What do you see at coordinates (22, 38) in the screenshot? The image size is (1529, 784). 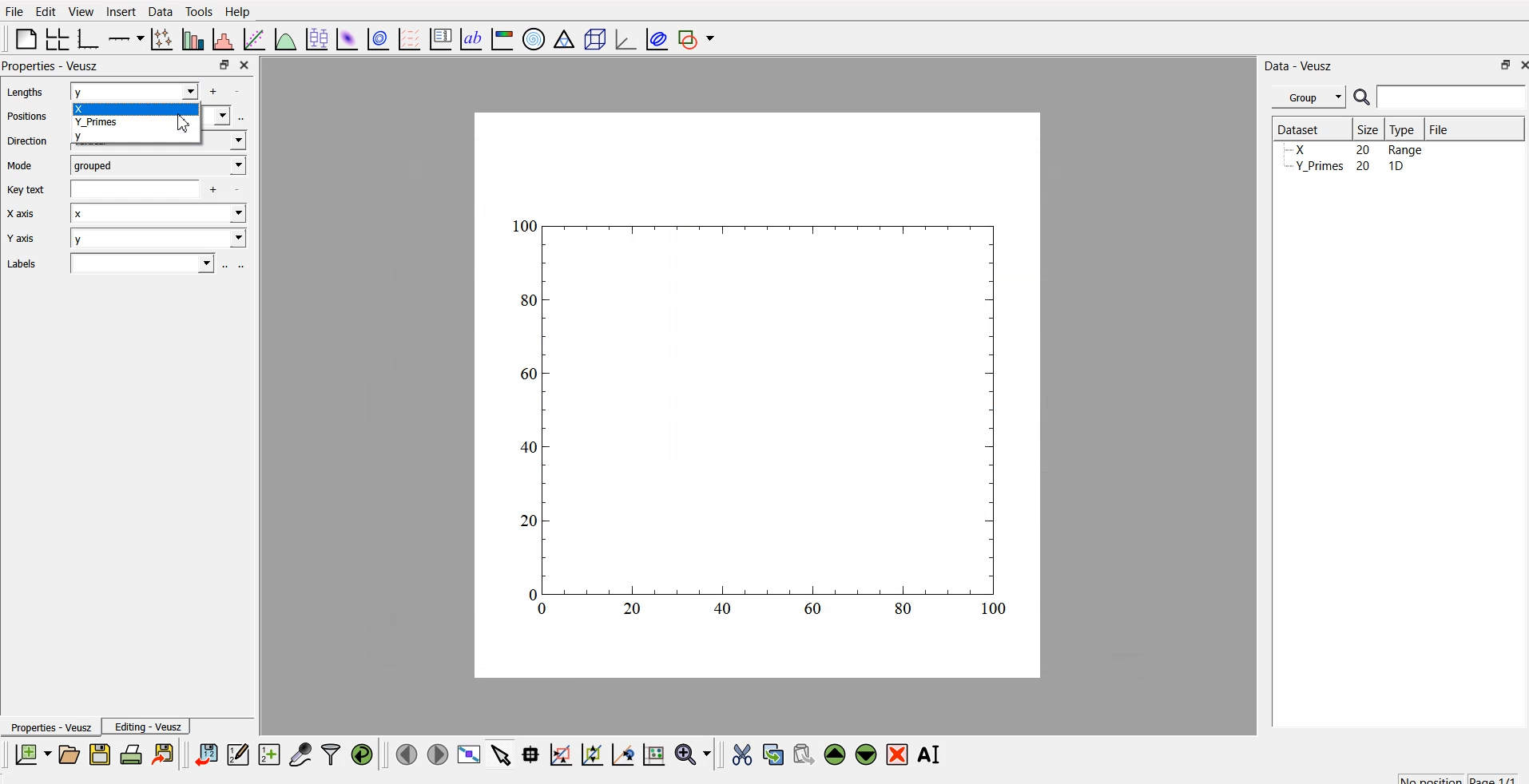 I see `blank page` at bounding box center [22, 38].